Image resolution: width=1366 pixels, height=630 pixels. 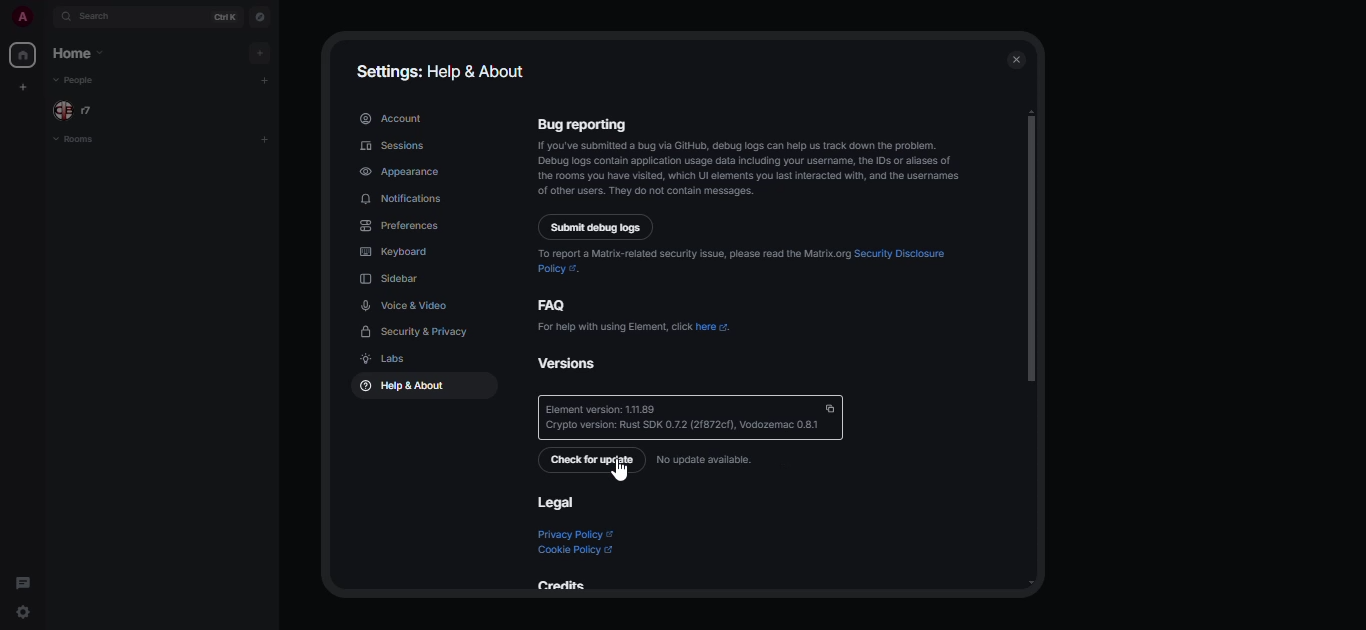 What do you see at coordinates (391, 118) in the screenshot?
I see `account` at bounding box center [391, 118].